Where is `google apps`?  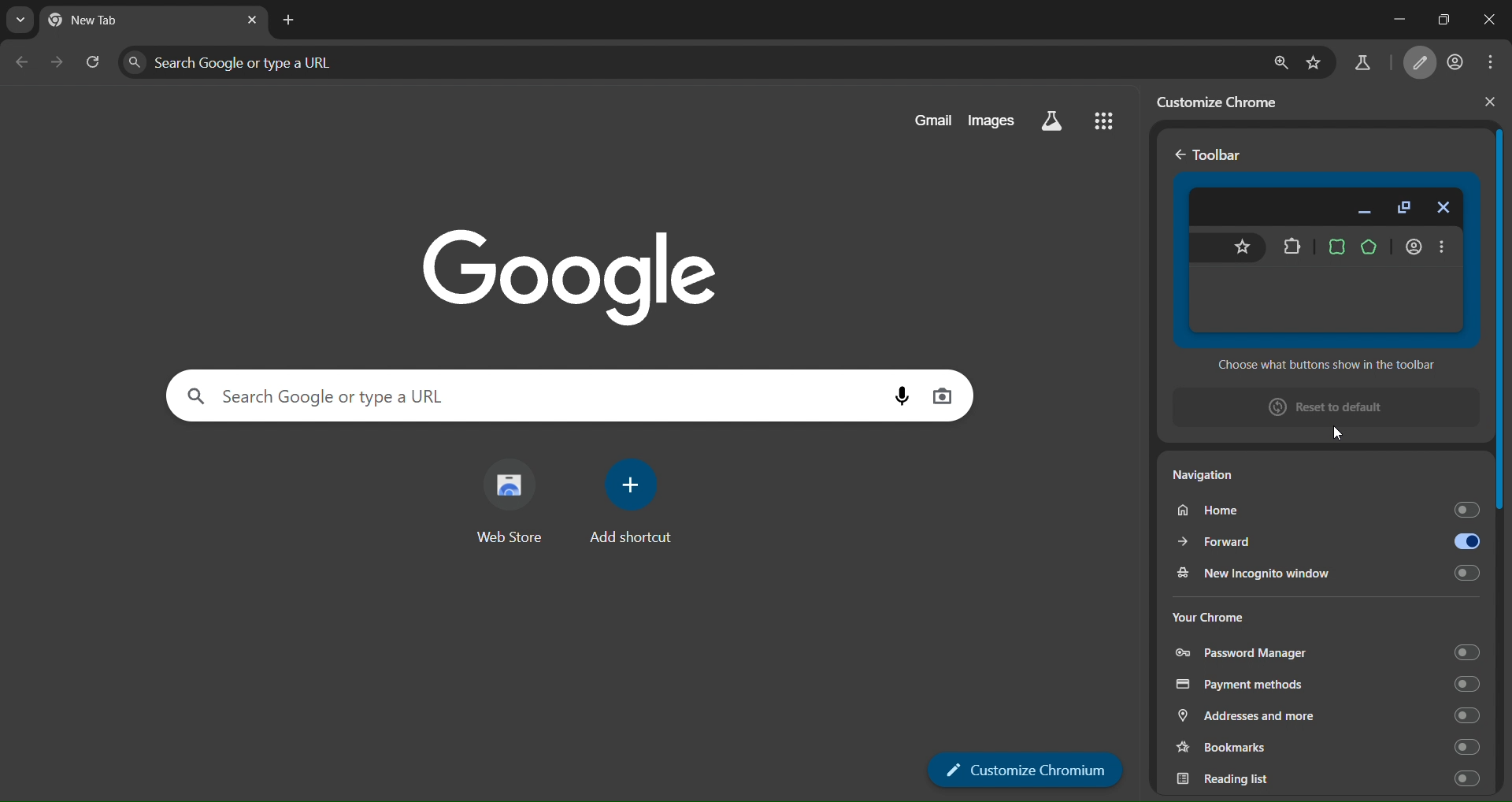
google apps is located at coordinates (1104, 121).